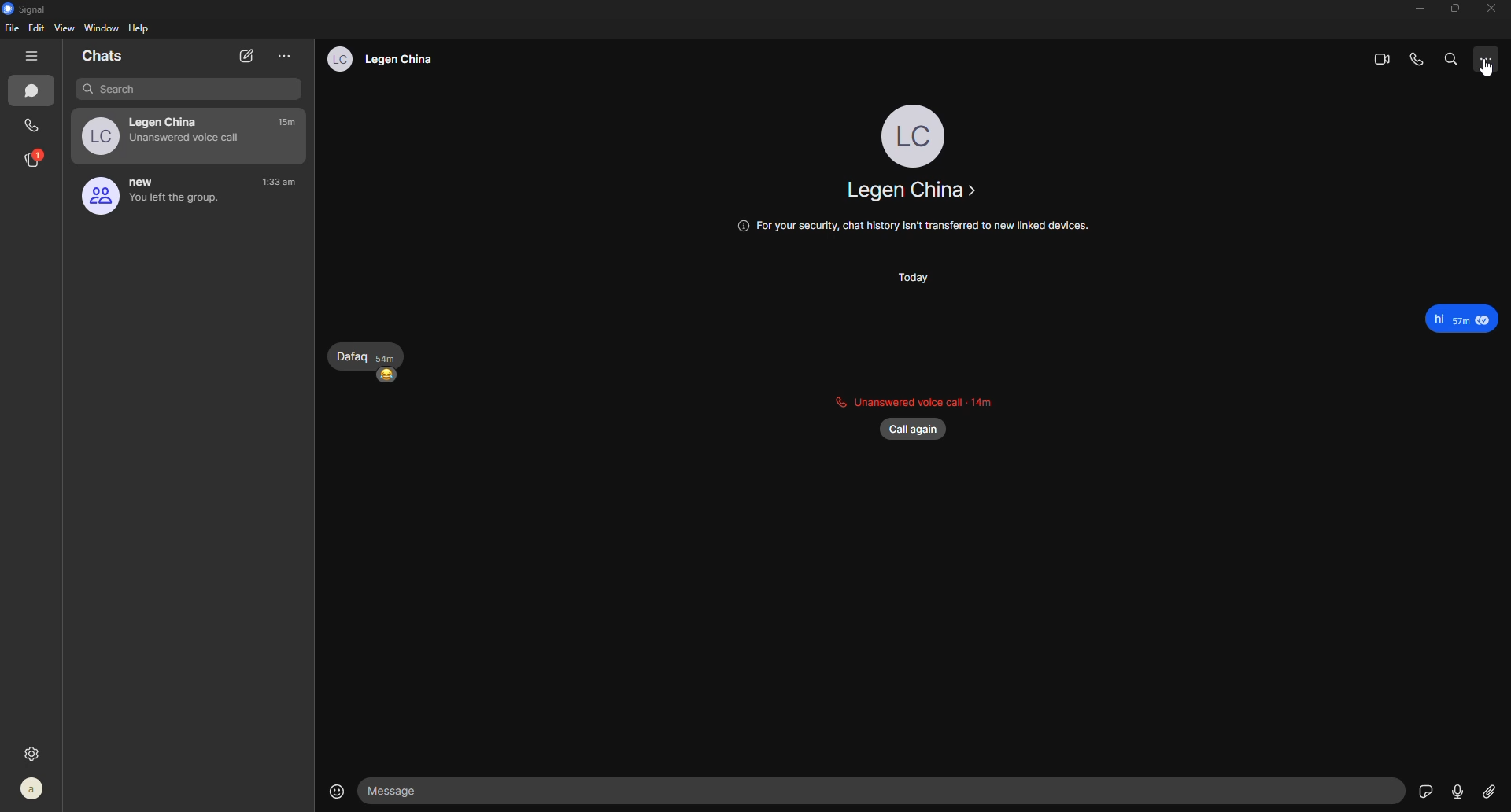 This screenshot has width=1511, height=812. What do you see at coordinates (142, 29) in the screenshot?
I see `help` at bounding box center [142, 29].